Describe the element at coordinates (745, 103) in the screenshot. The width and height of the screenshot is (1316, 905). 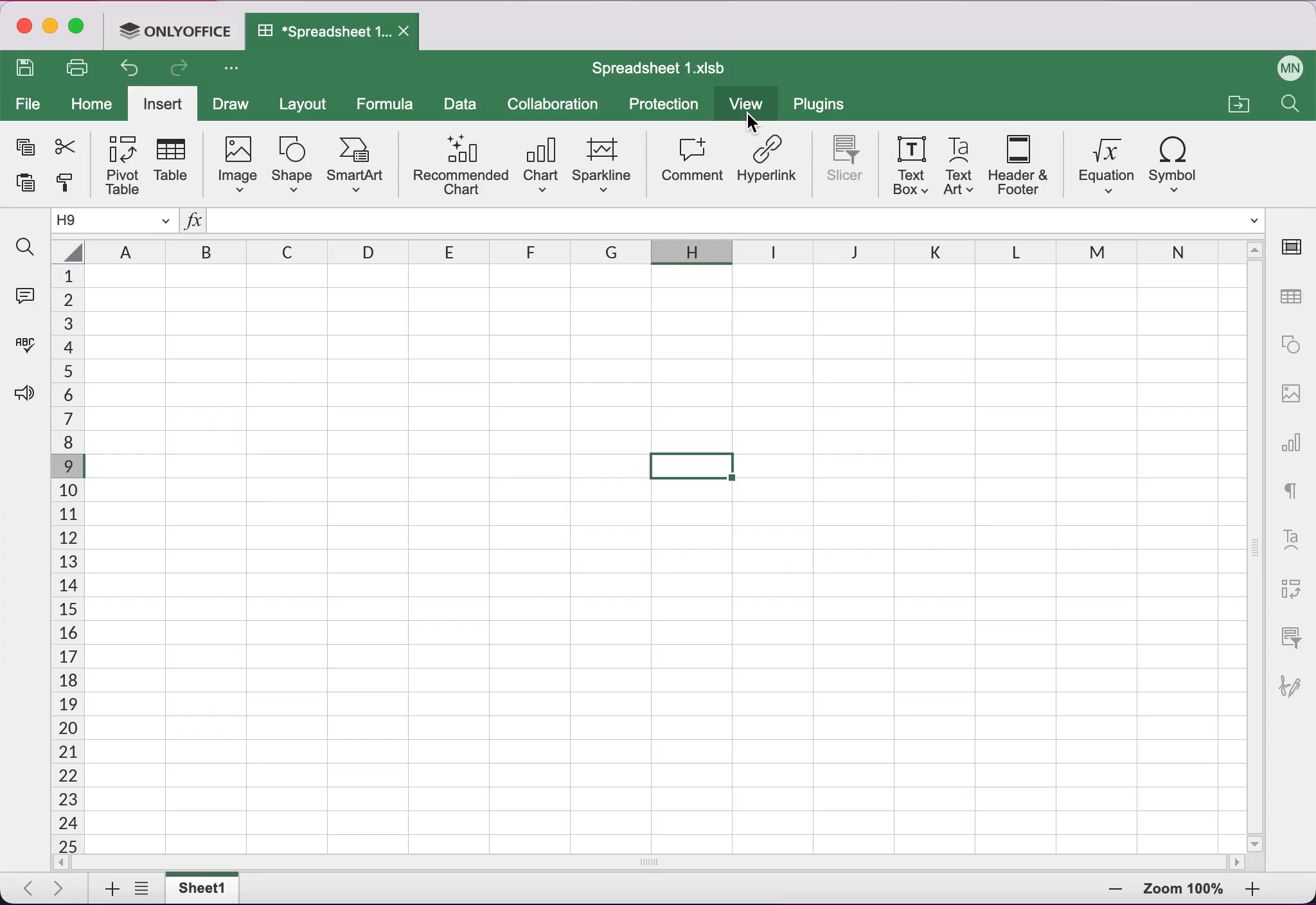
I see `view` at that location.